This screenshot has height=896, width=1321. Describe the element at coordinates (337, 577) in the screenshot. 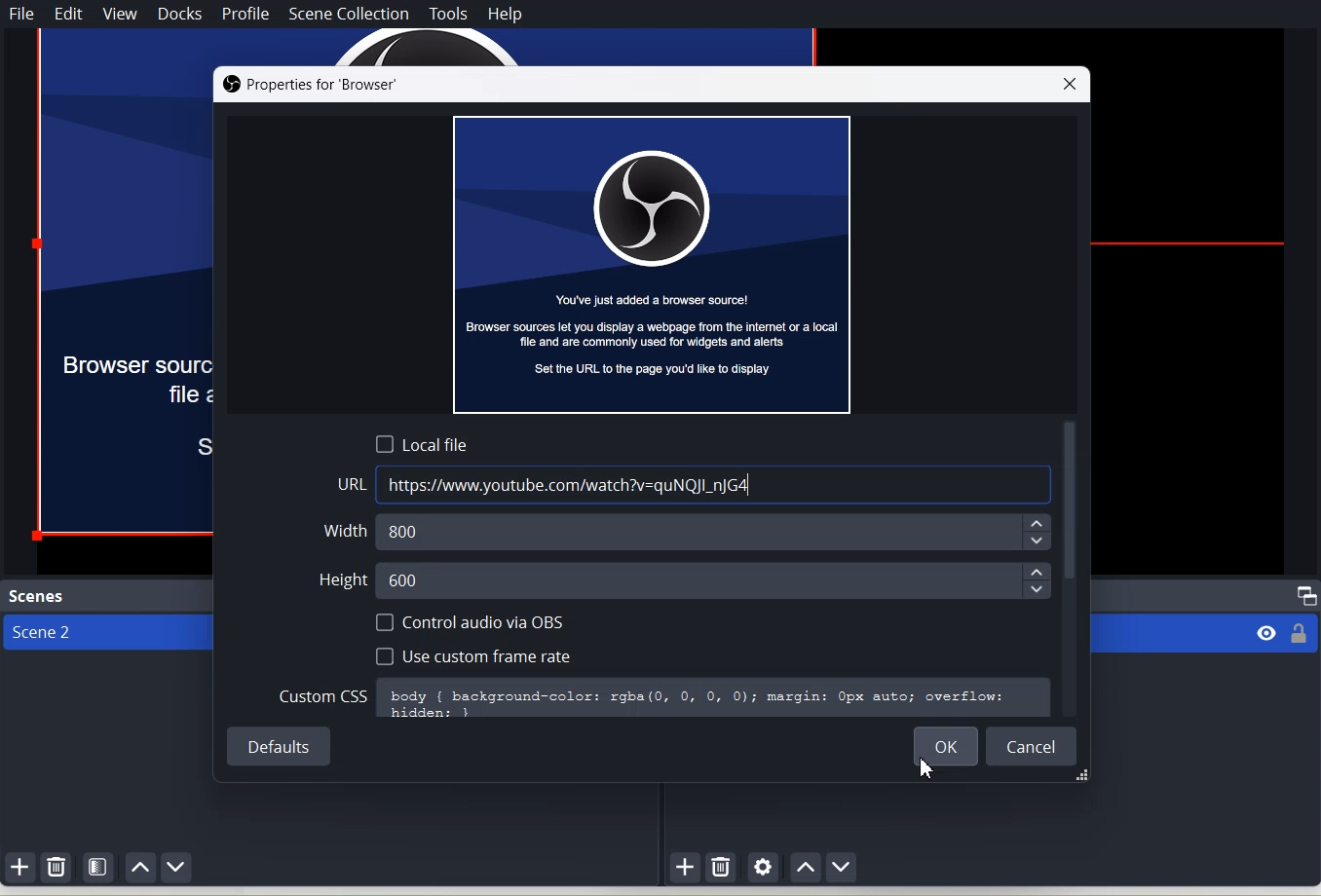

I see `Height` at that location.